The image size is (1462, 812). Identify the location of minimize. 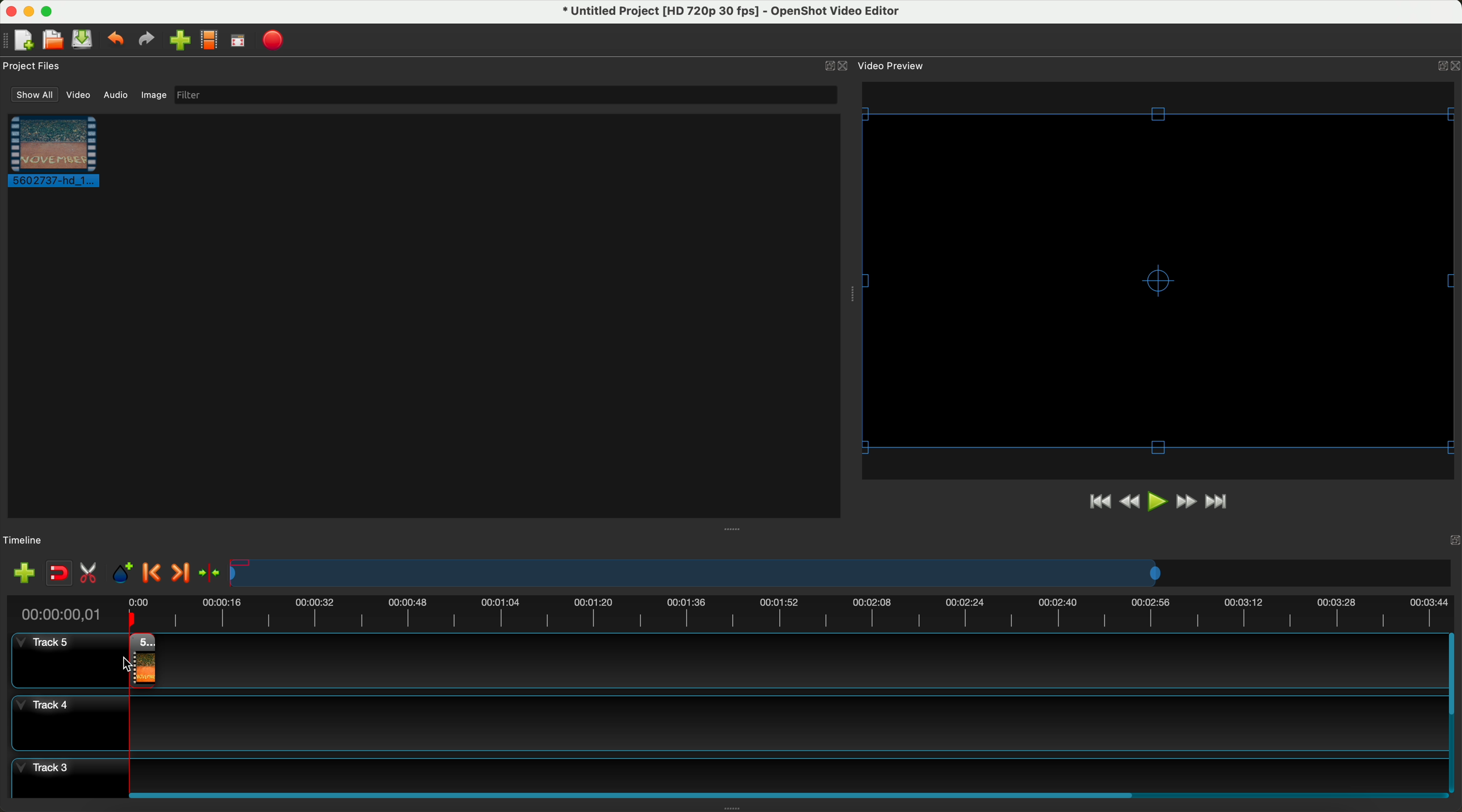
(30, 11).